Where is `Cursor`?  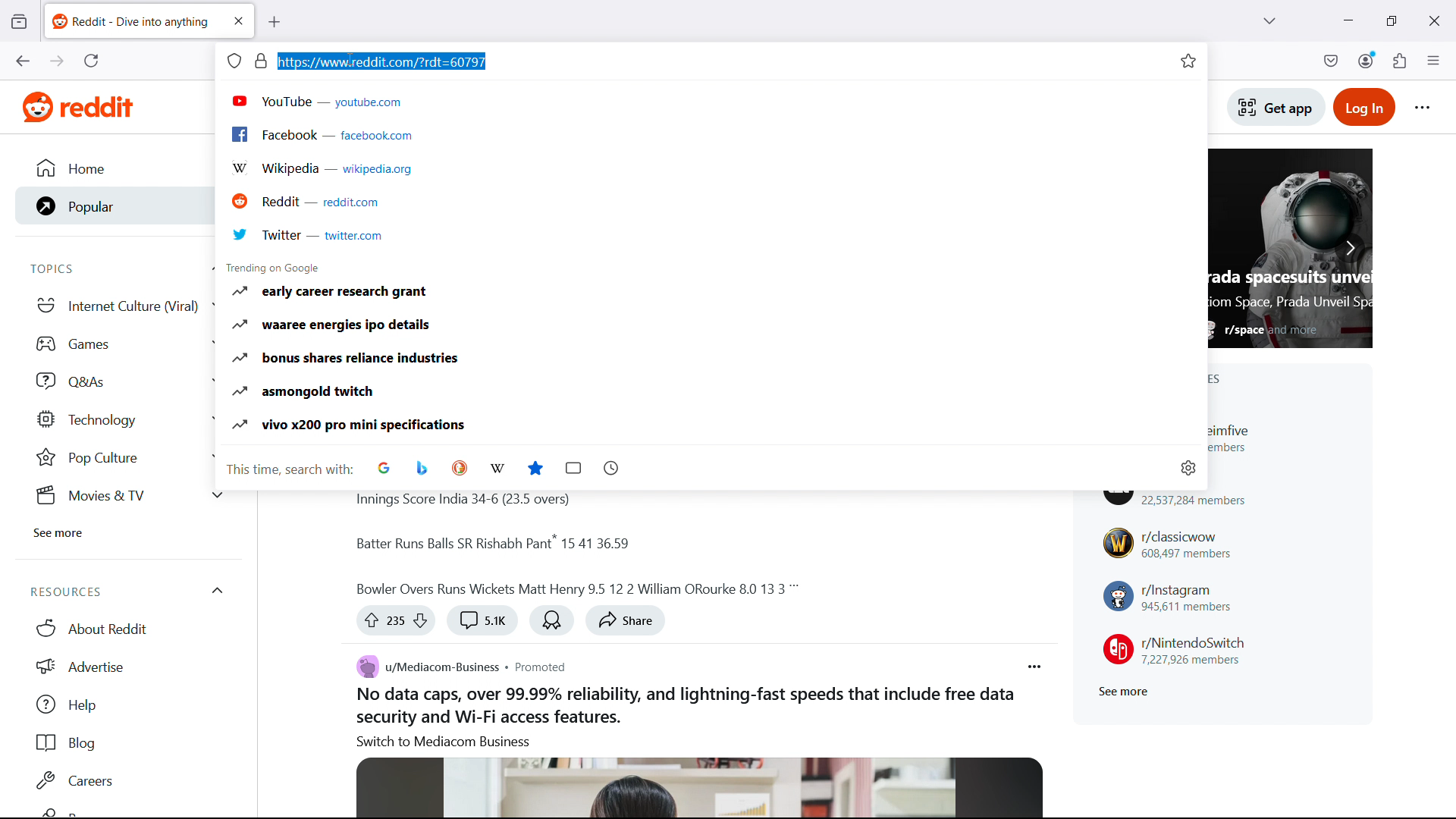 Cursor is located at coordinates (352, 59).